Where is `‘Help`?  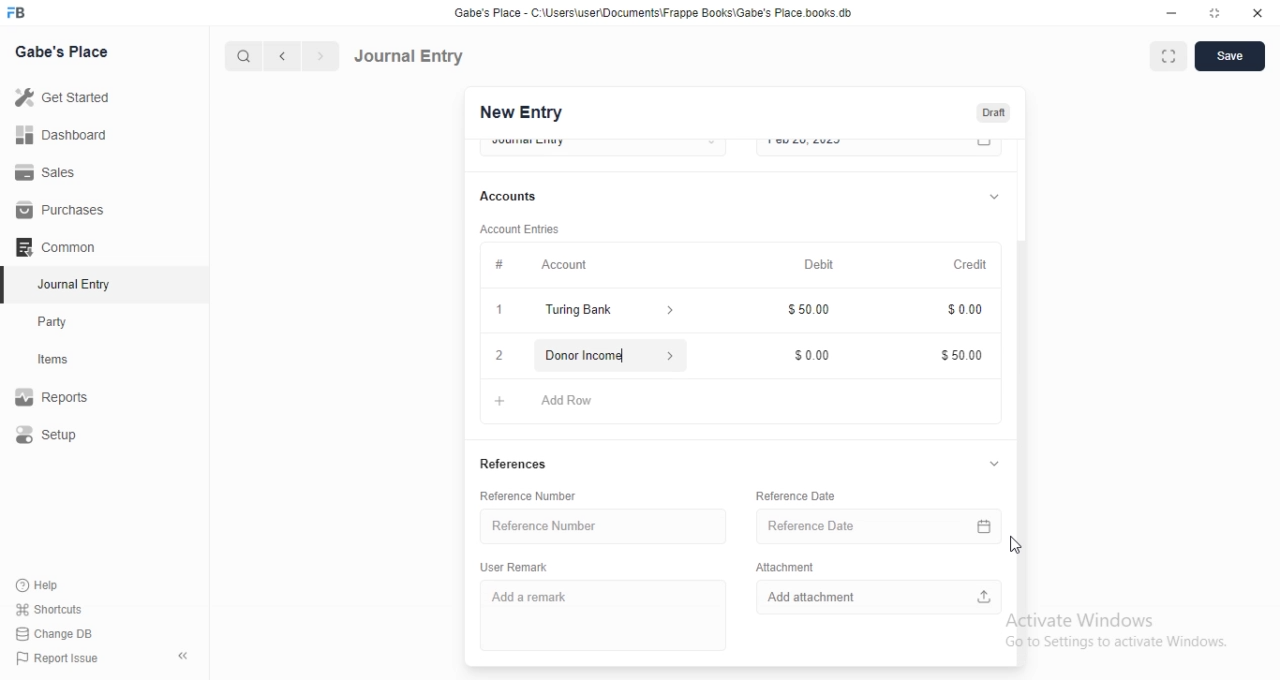
‘Help is located at coordinates (61, 585).